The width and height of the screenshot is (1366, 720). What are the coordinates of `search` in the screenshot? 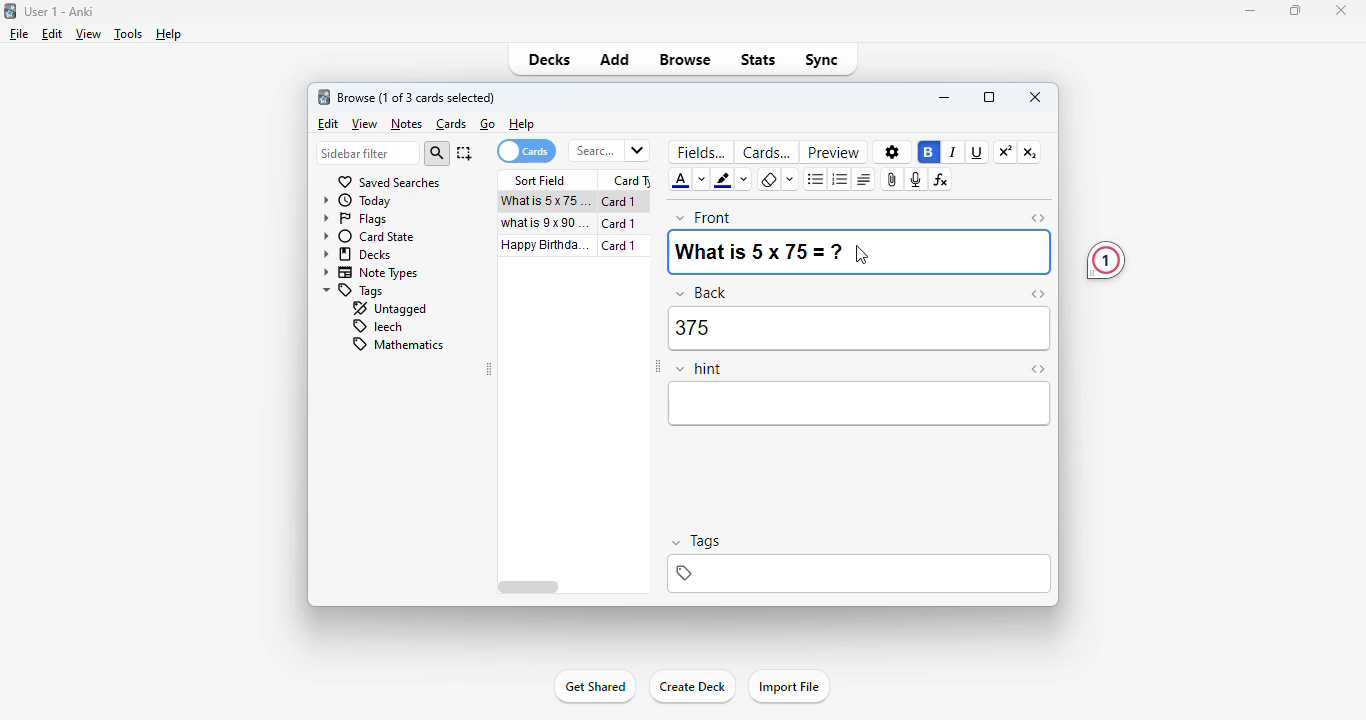 It's located at (610, 151).